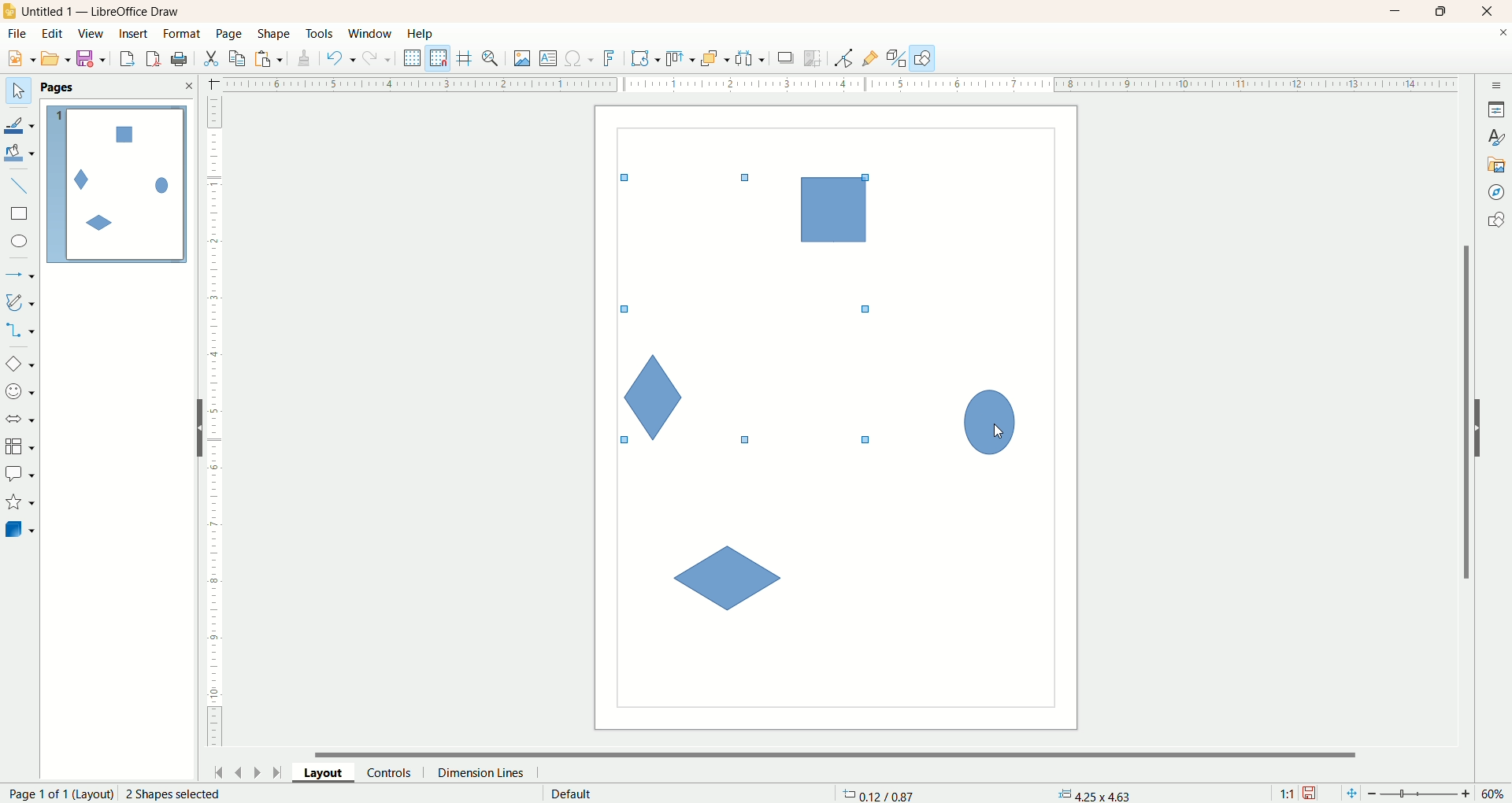  Describe the element at coordinates (646, 59) in the screenshot. I see `transformation` at that location.